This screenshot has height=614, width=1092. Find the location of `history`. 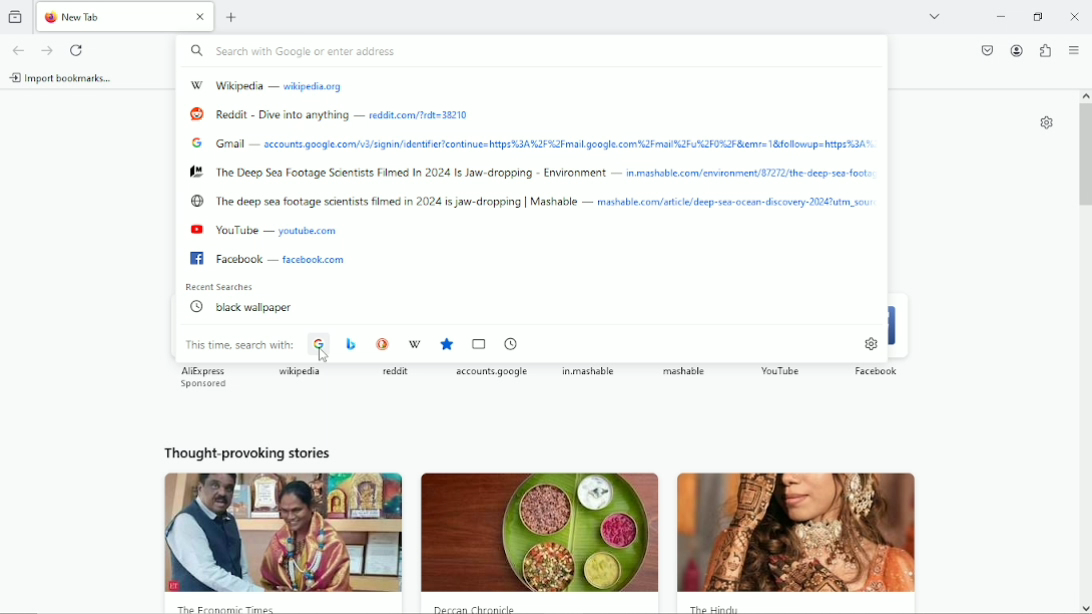

history is located at coordinates (510, 342).